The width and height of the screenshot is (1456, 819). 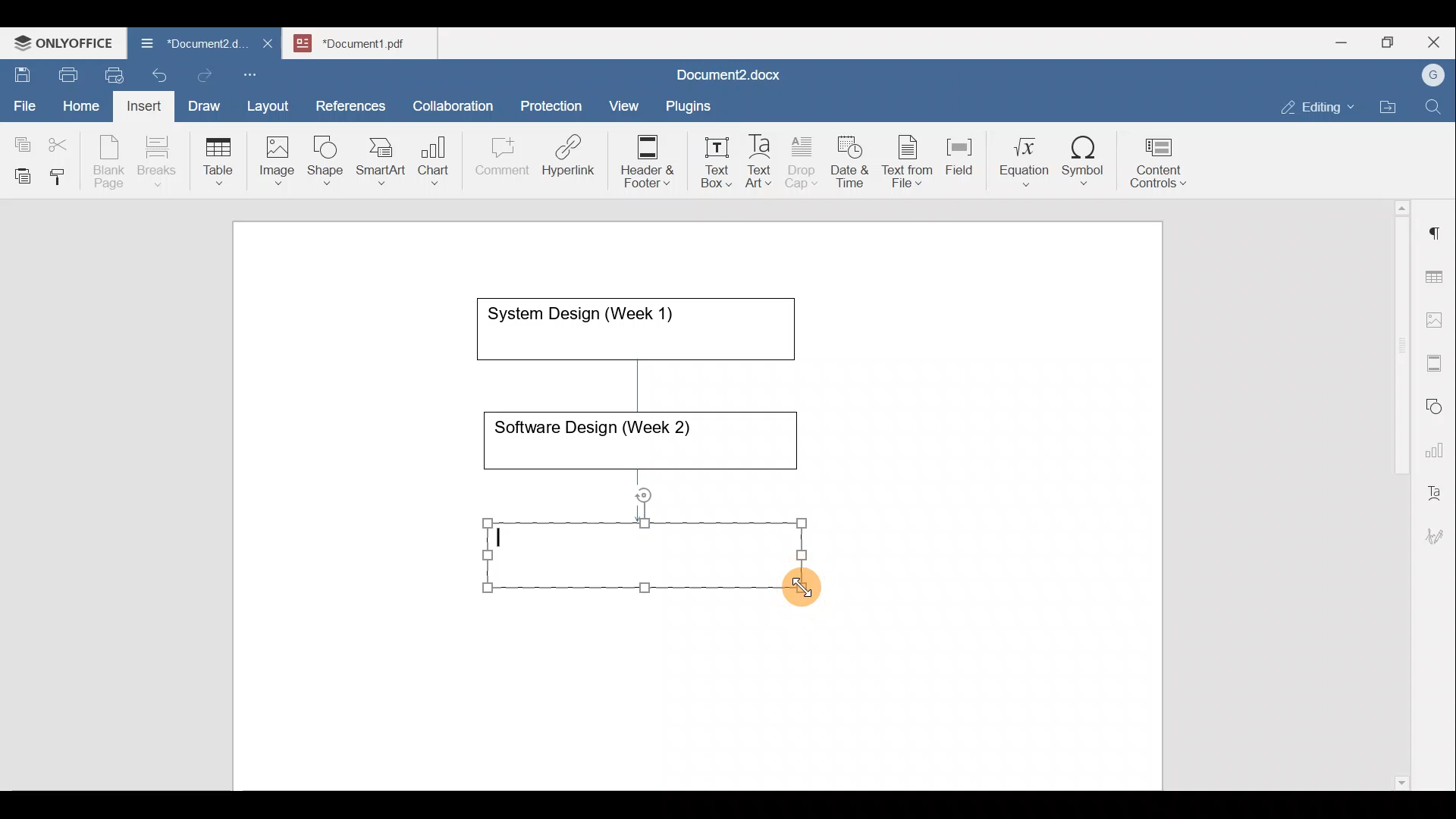 What do you see at coordinates (110, 73) in the screenshot?
I see `Quick print` at bounding box center [110, 73].